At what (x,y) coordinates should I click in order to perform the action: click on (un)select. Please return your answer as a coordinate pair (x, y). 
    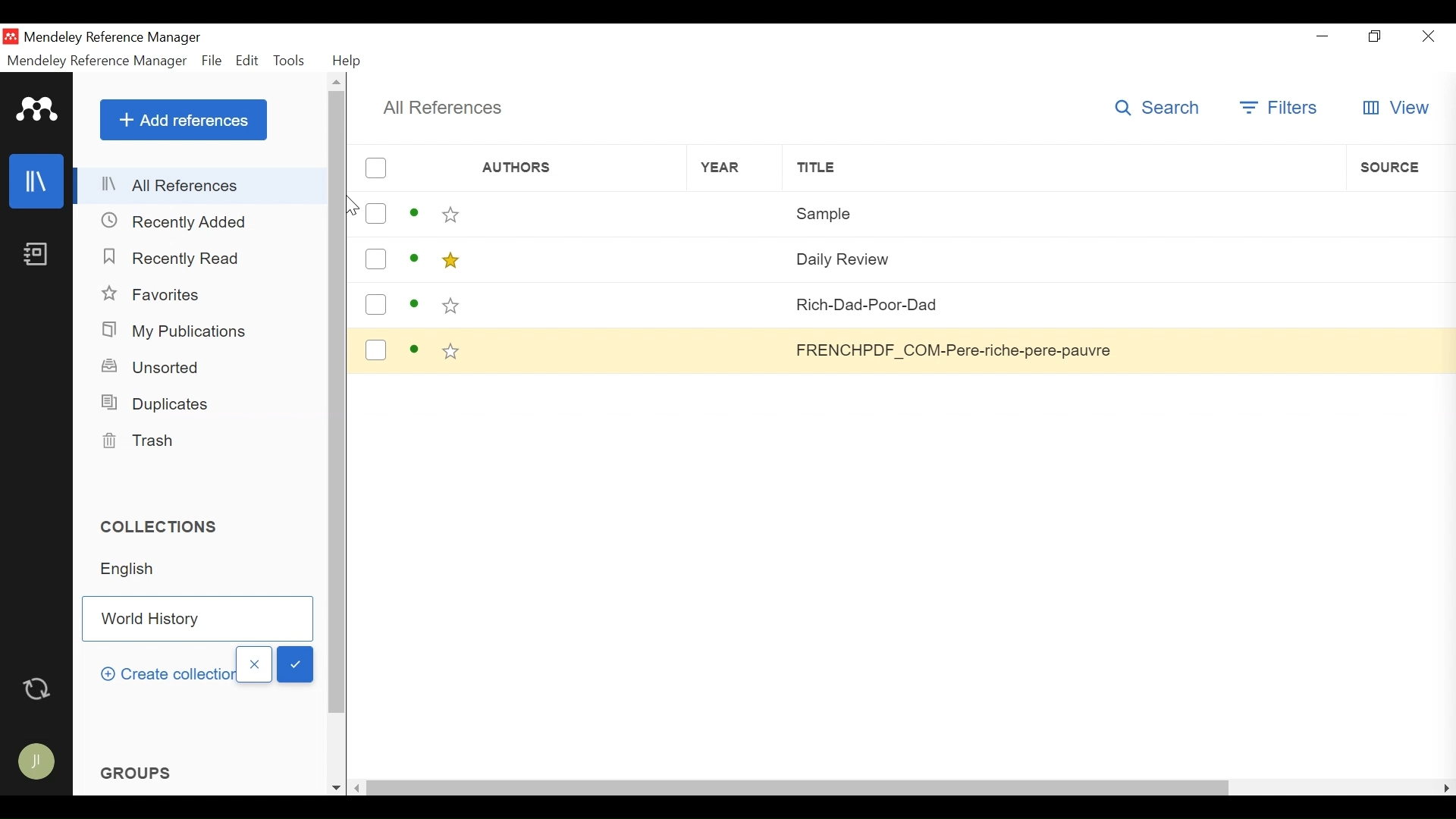
    Looking at the image, I should click on (375, 214).